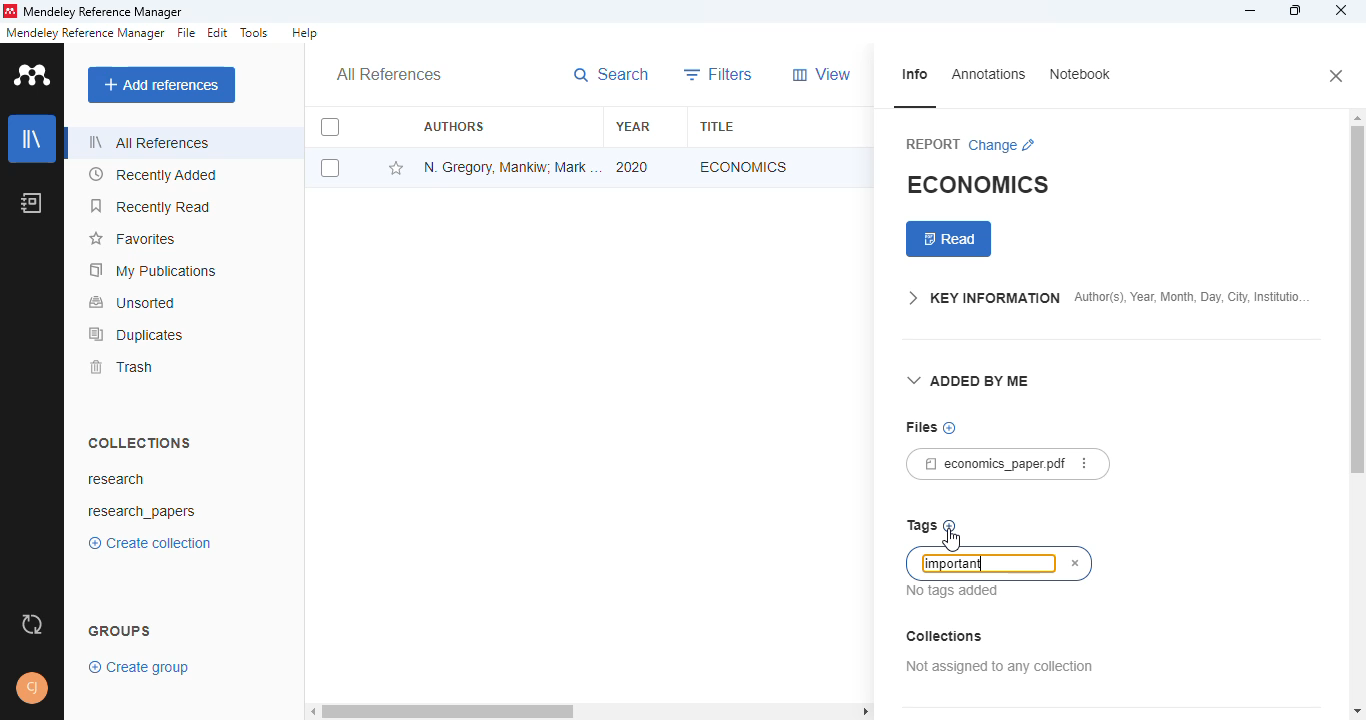 Image resolution: width=1366 pixels, height=720 pixels. I want to click on added by me, so click(969, 382).